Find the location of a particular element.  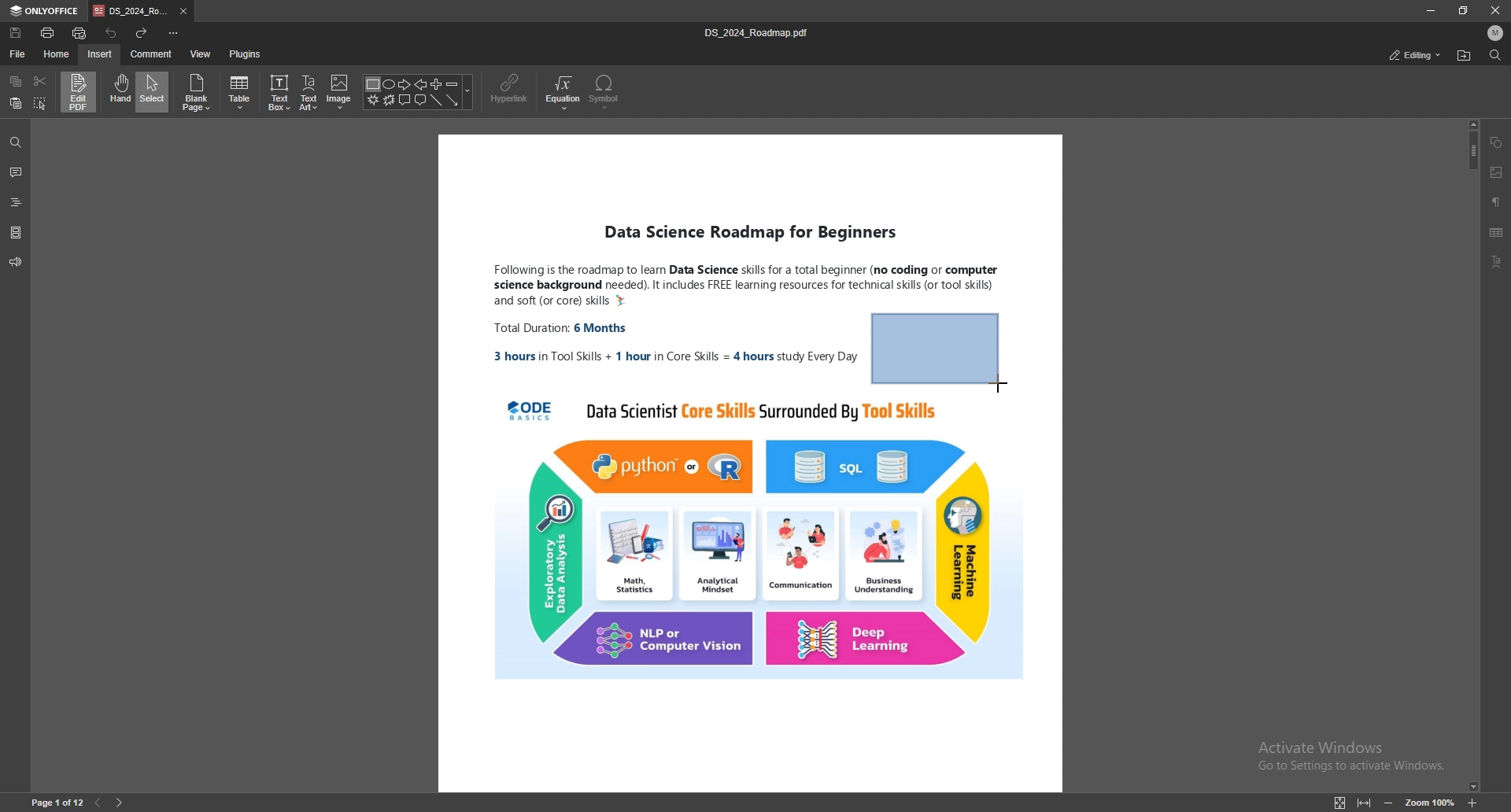

previous page is located at coordinates (99, 801).